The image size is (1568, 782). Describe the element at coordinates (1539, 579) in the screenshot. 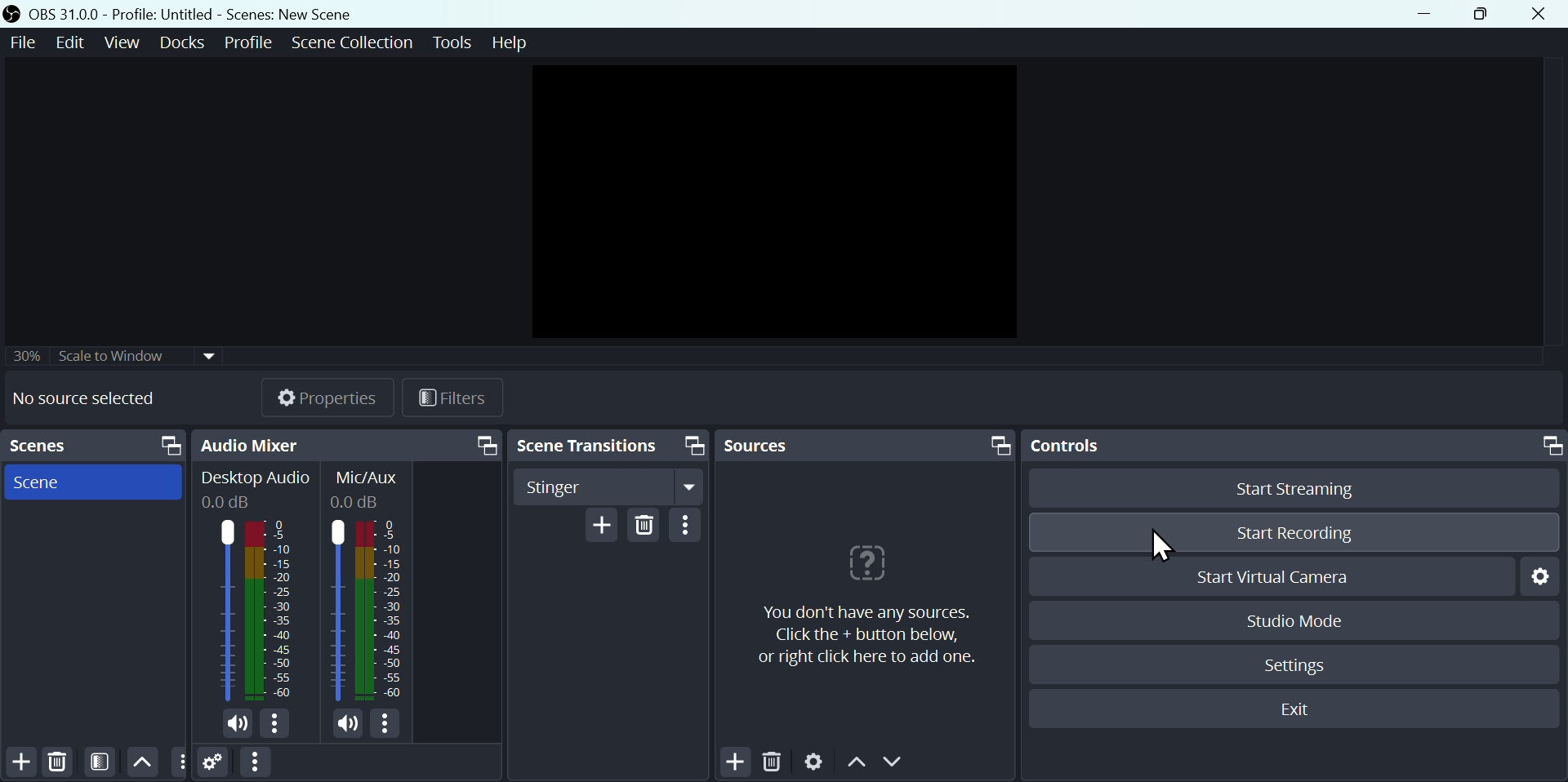

I see `Settings` at that location.